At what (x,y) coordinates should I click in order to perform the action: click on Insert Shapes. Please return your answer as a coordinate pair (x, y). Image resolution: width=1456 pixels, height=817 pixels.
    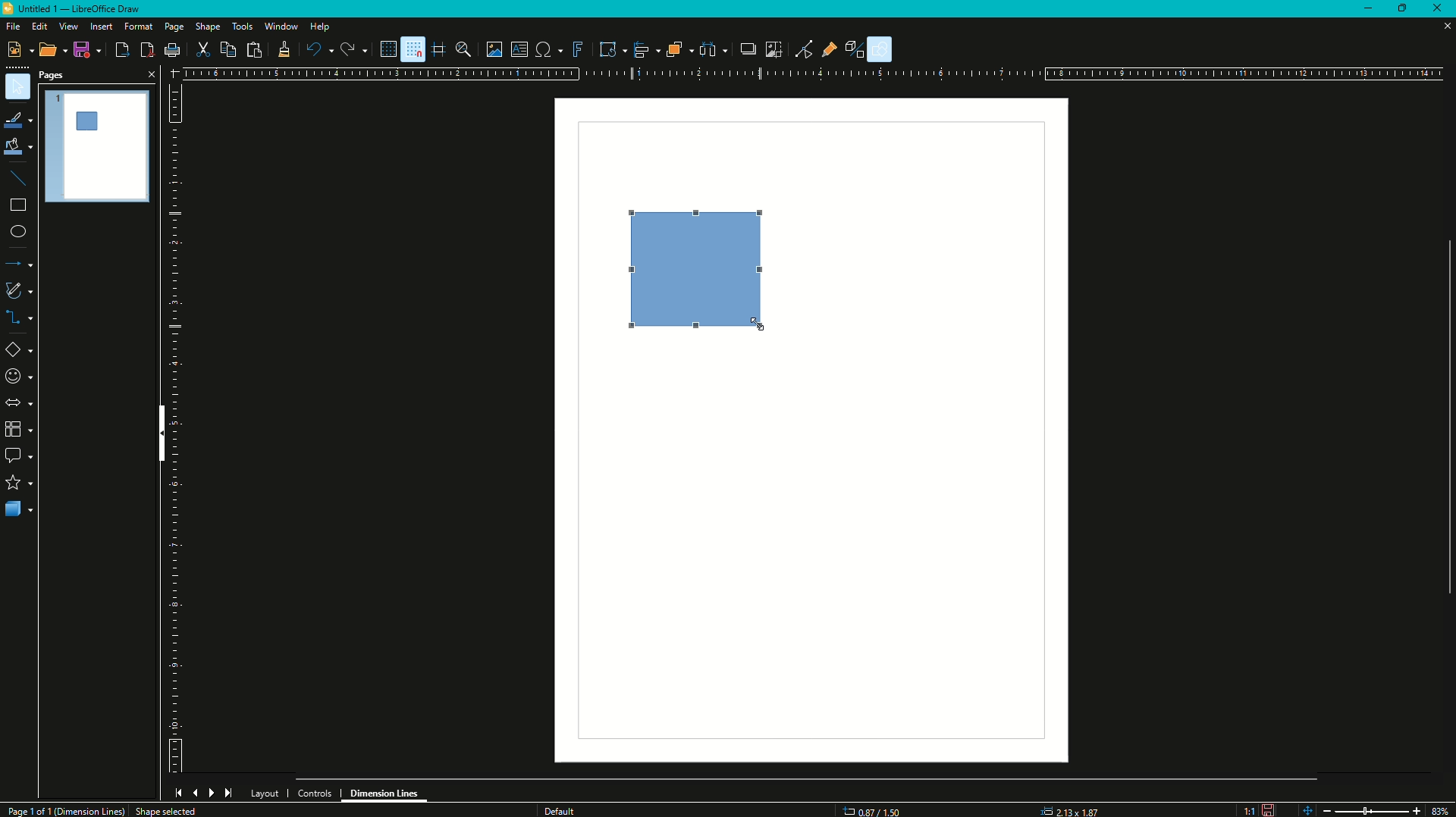
    Looking at the image, I should click on (20, 352).